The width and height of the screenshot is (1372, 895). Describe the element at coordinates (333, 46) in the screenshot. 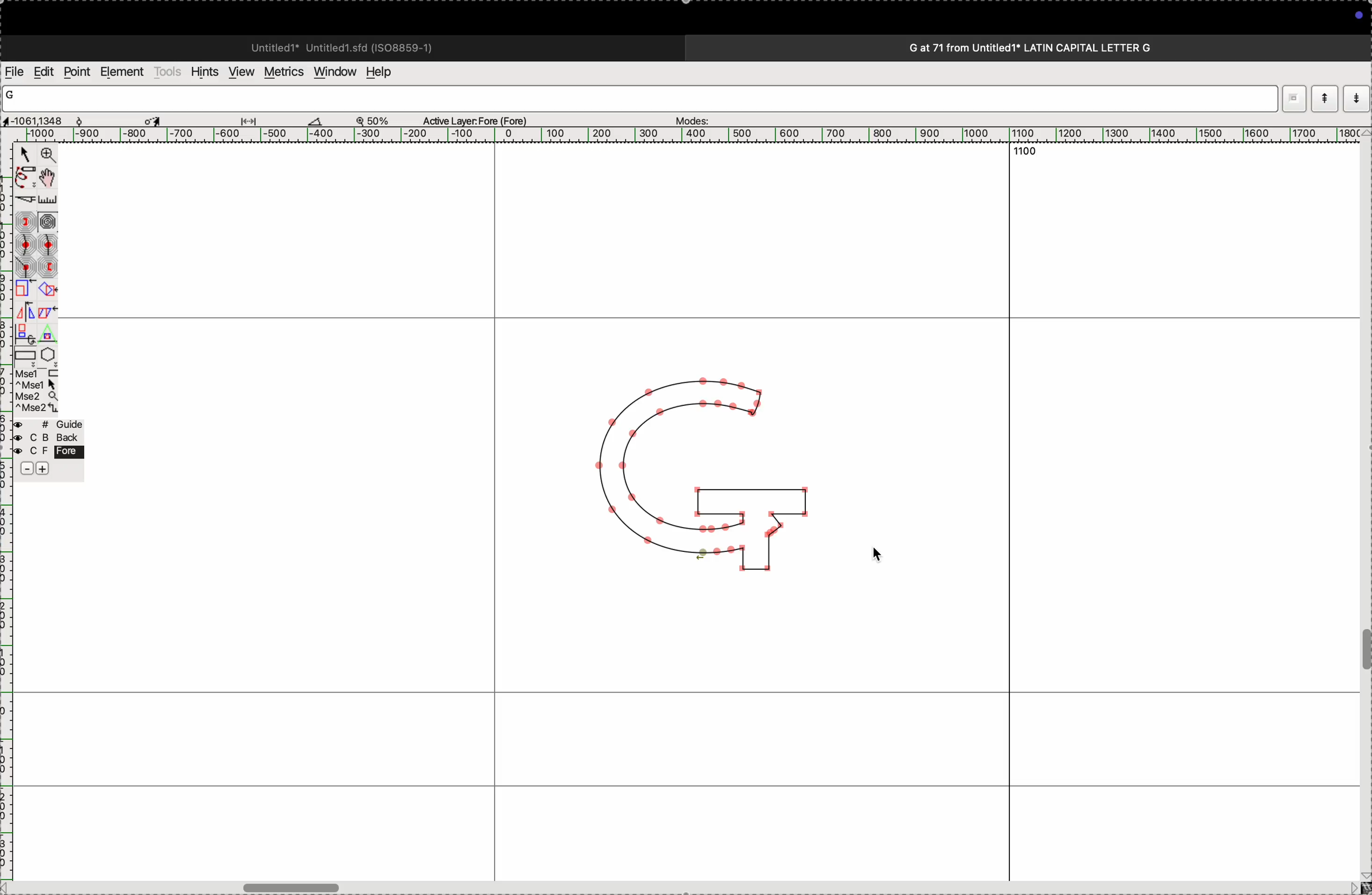

I see `Untitled1* Untitled 1.sfd (IS08859-1)` at that location.